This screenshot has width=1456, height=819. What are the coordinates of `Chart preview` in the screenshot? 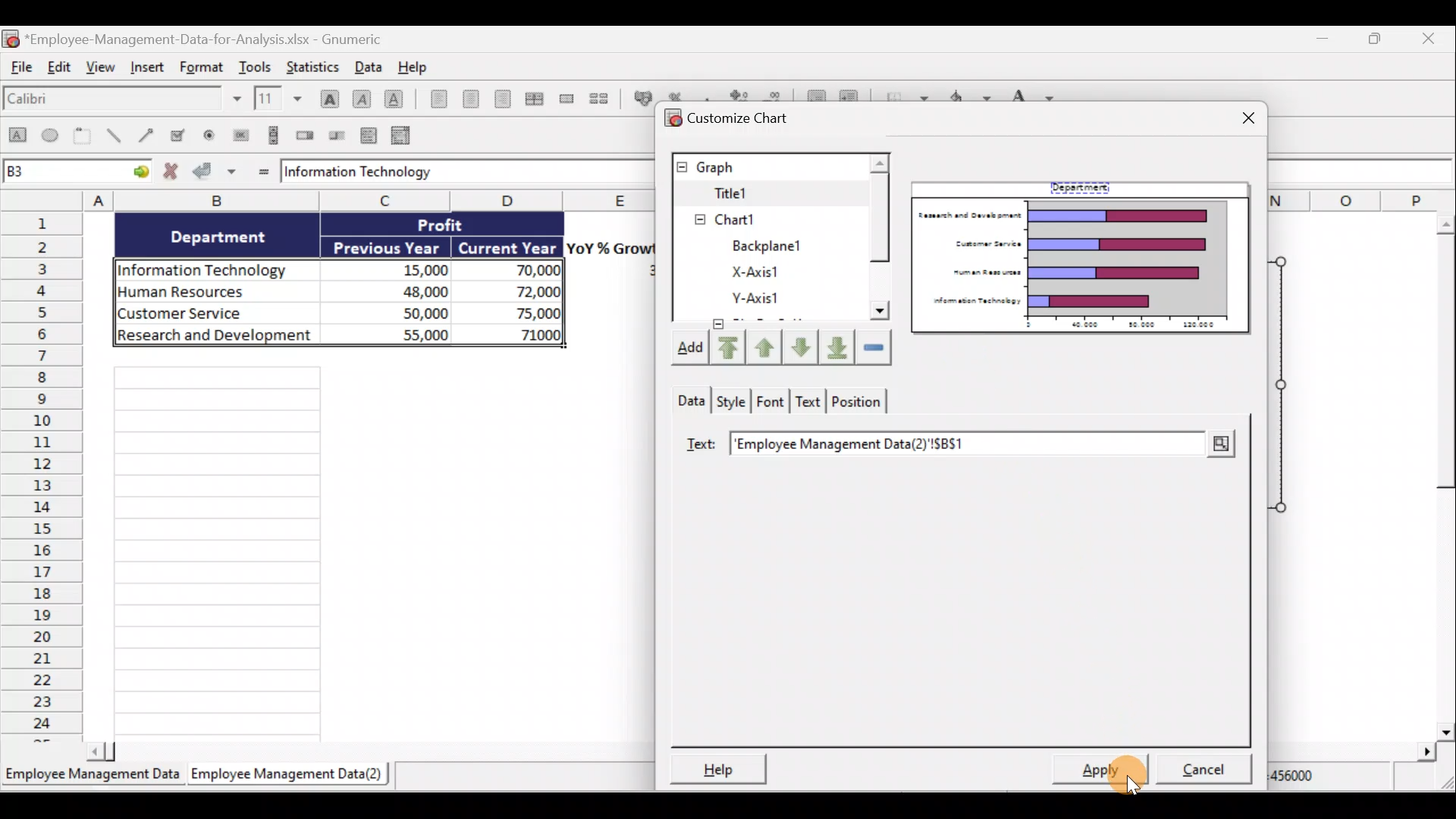 It's located at (1084, 265).